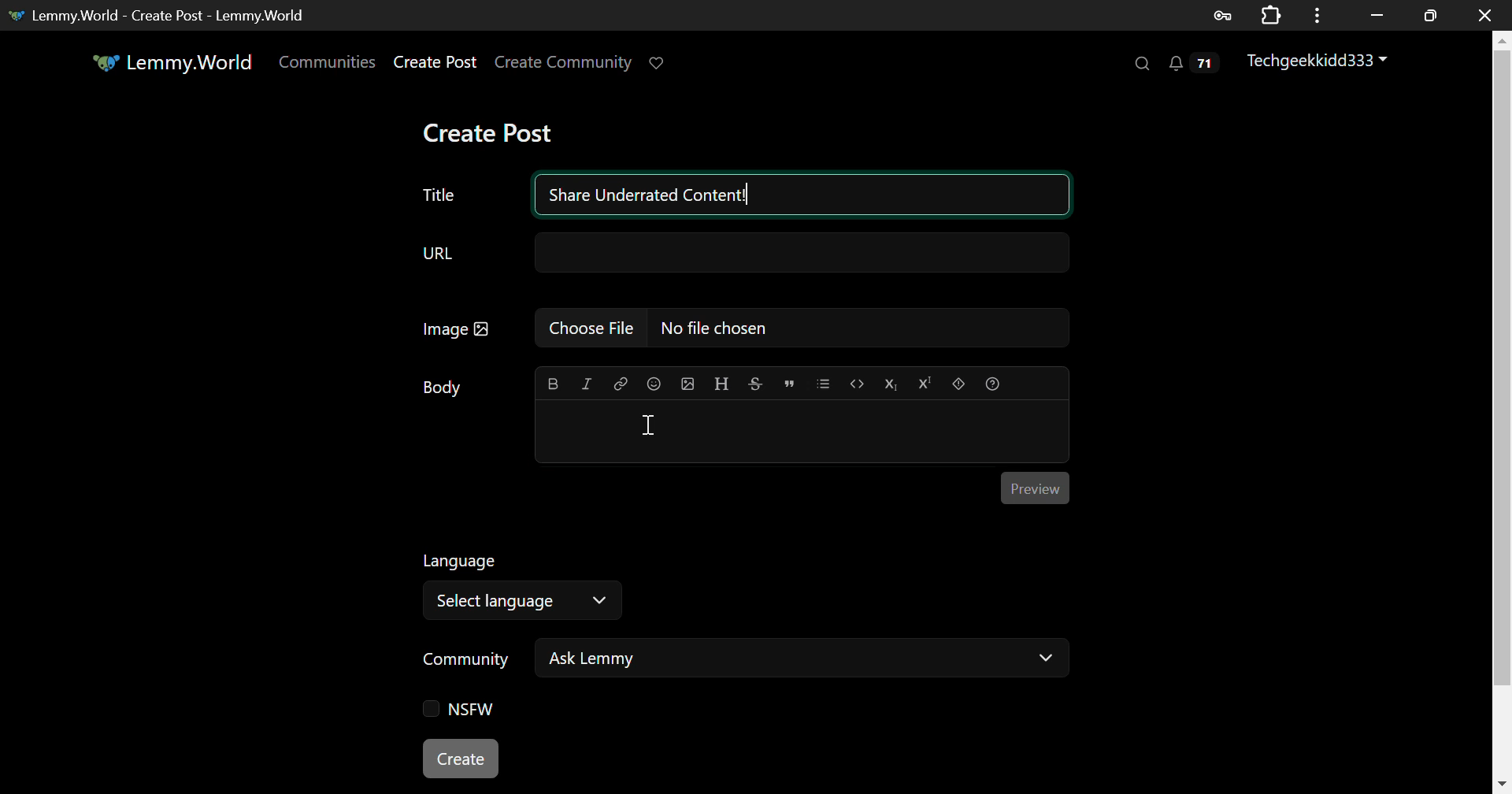  I want to click on Close Window, so click(1485, 13).